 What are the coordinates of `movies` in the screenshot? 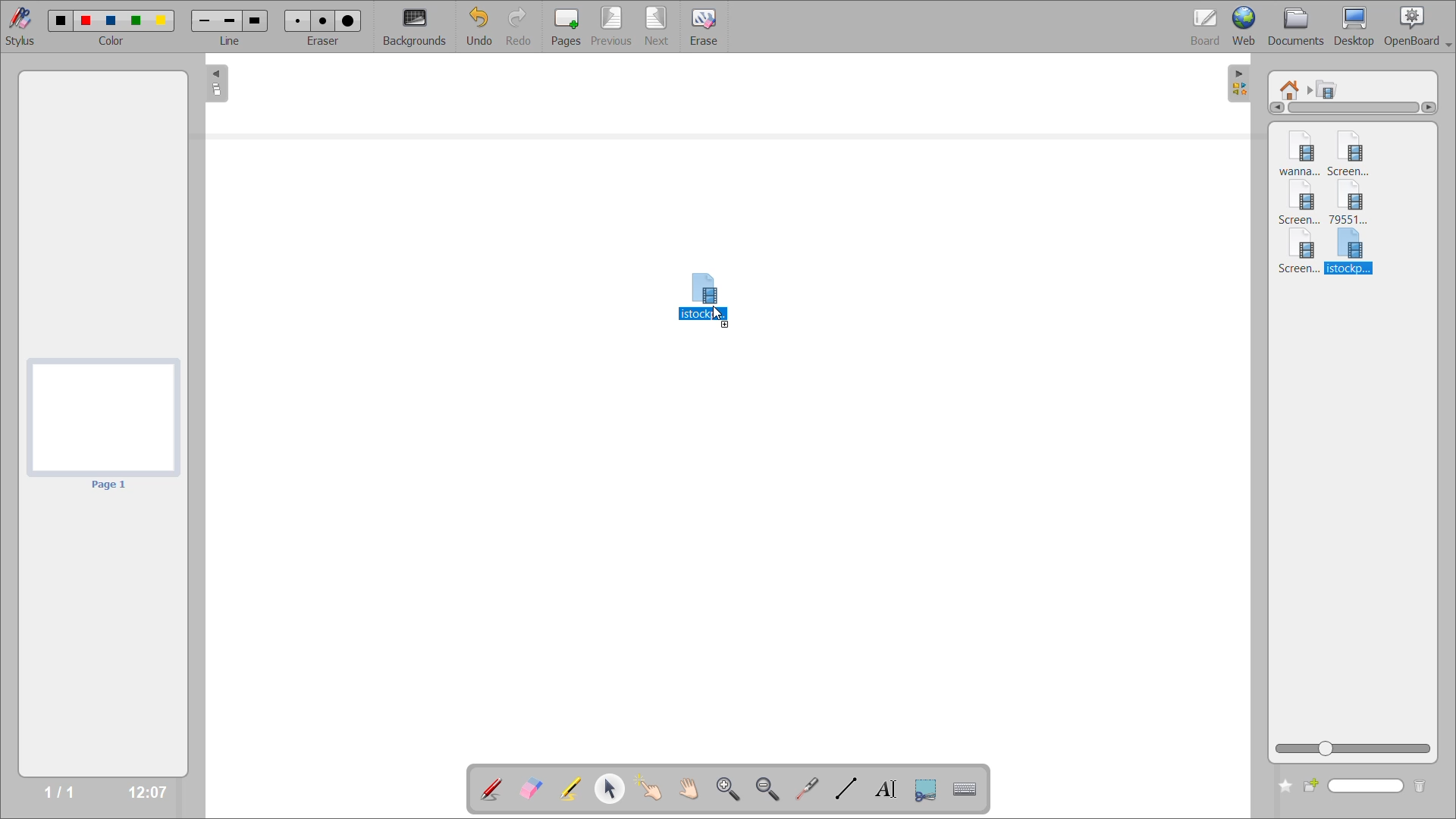 It's located at (1329, 89).